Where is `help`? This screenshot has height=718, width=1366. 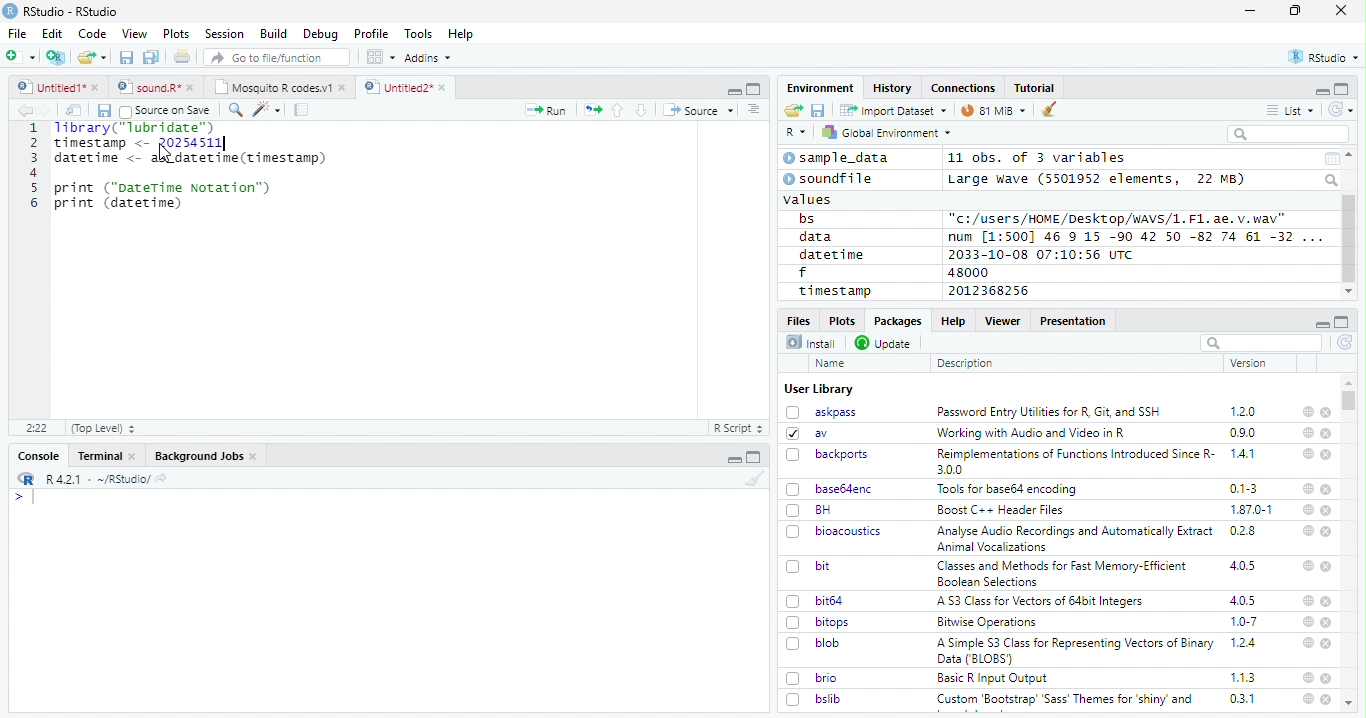
help is located at coordinates (1308, 677).